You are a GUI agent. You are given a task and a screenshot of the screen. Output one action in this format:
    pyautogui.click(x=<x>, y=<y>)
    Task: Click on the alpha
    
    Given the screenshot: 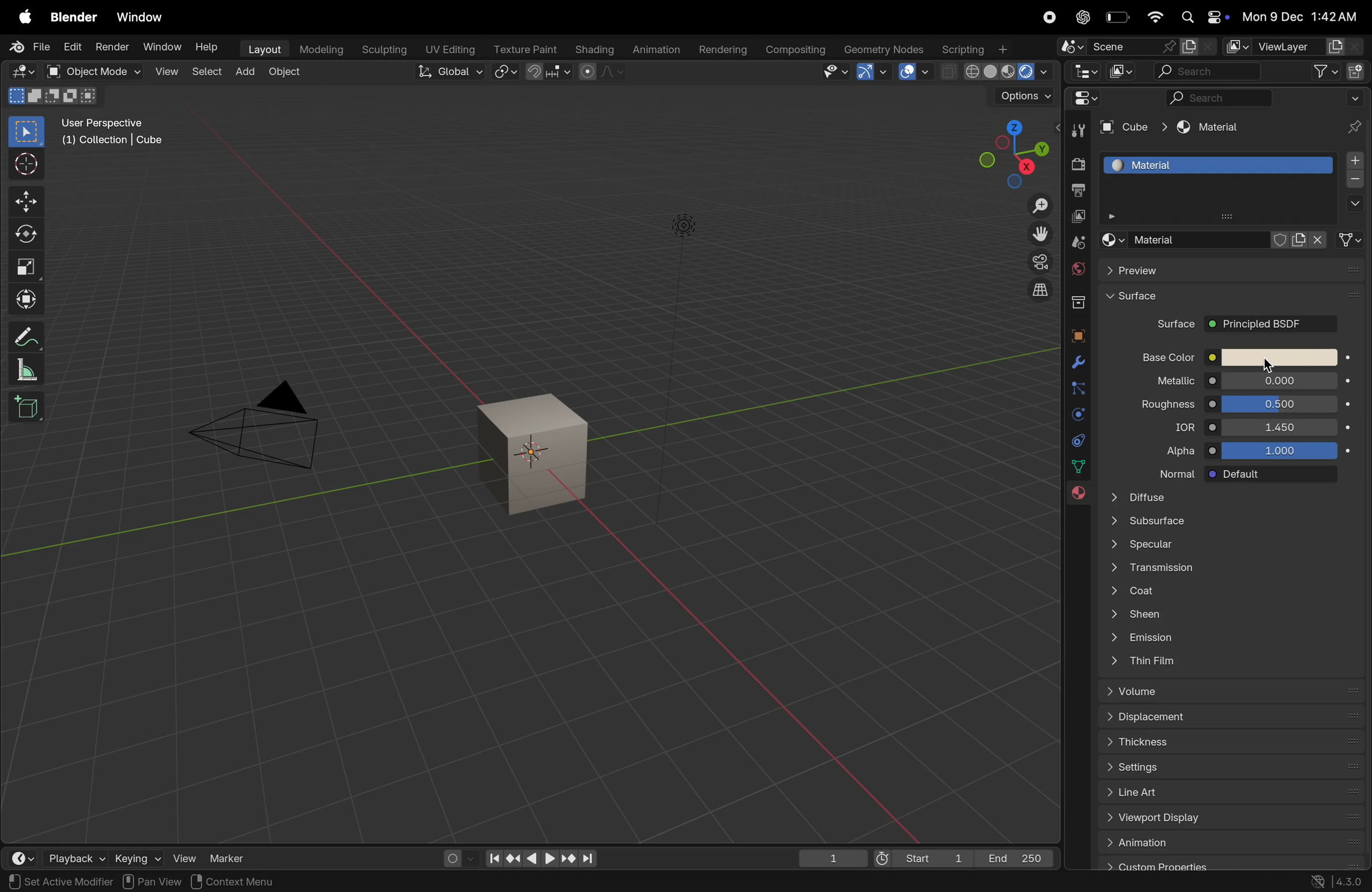 What is the action you would take?
    pyautogui.click(x=1168, y=451)
    